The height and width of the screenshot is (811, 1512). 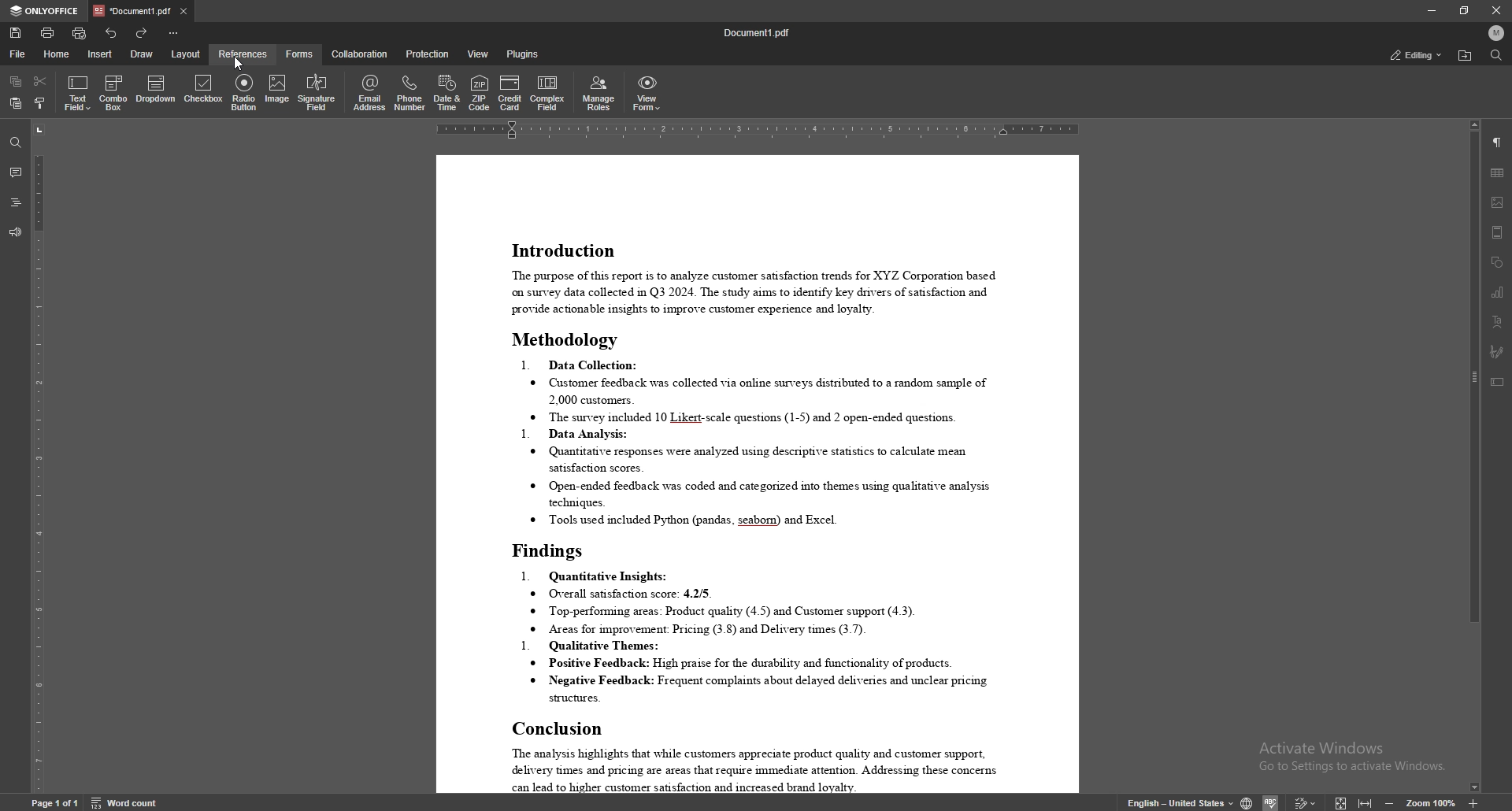 I want to click on customize toolbar, so click(x=173, y=33).